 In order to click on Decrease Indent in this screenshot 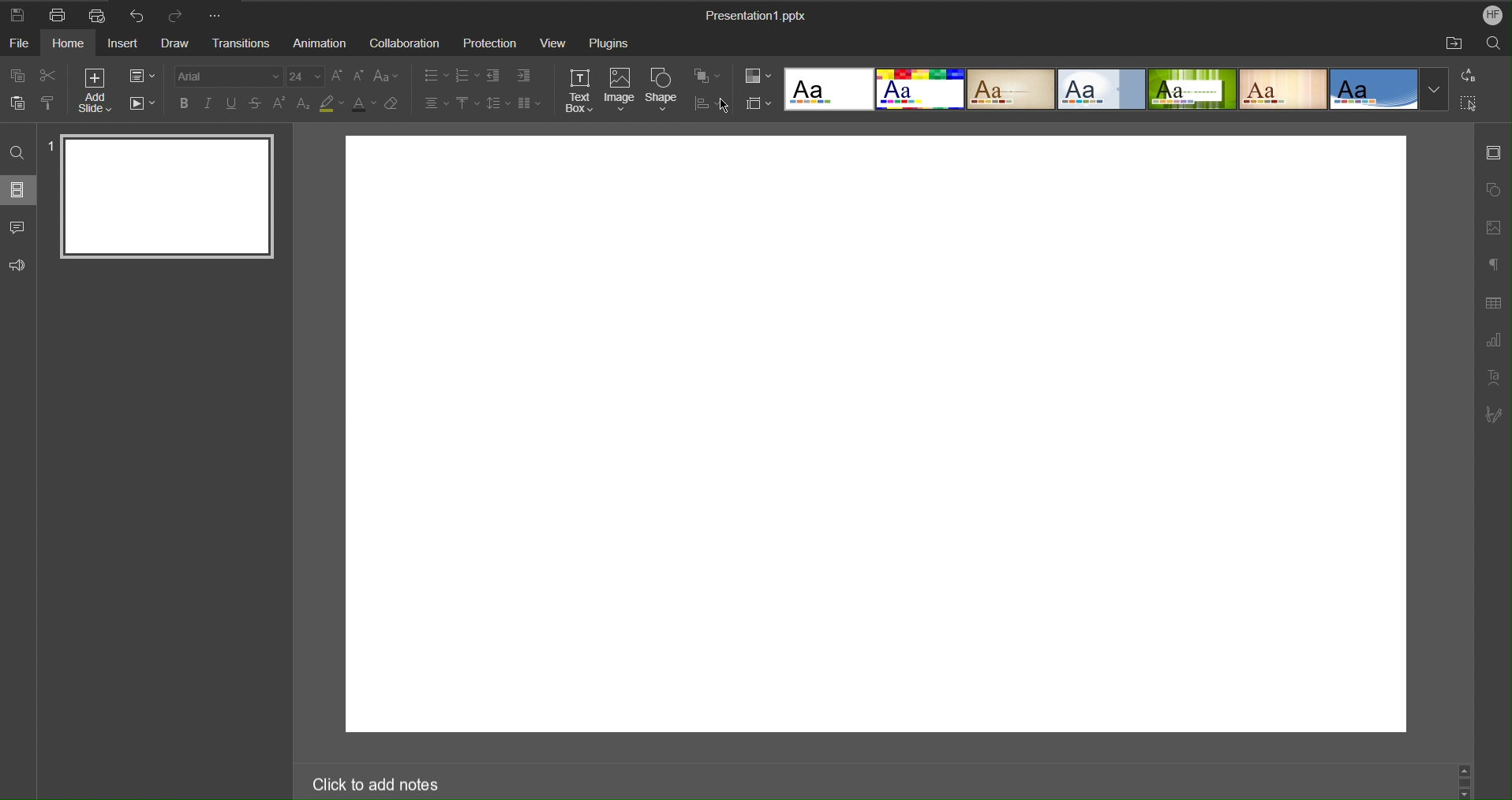, I will do `click(494, 75)`.